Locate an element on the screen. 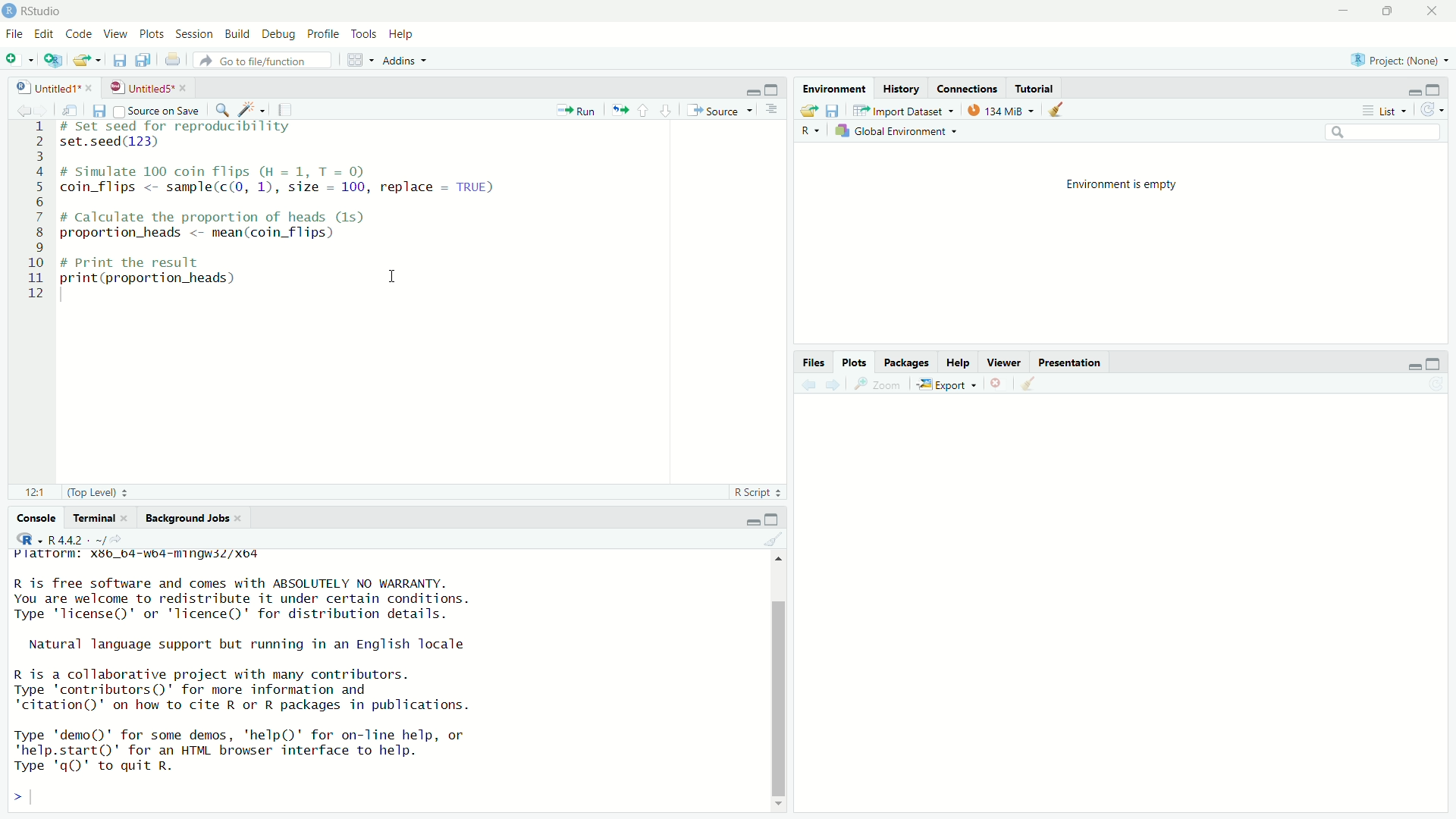 The image size is (1456, 819). print the current file is located at coordinates (171, 61).